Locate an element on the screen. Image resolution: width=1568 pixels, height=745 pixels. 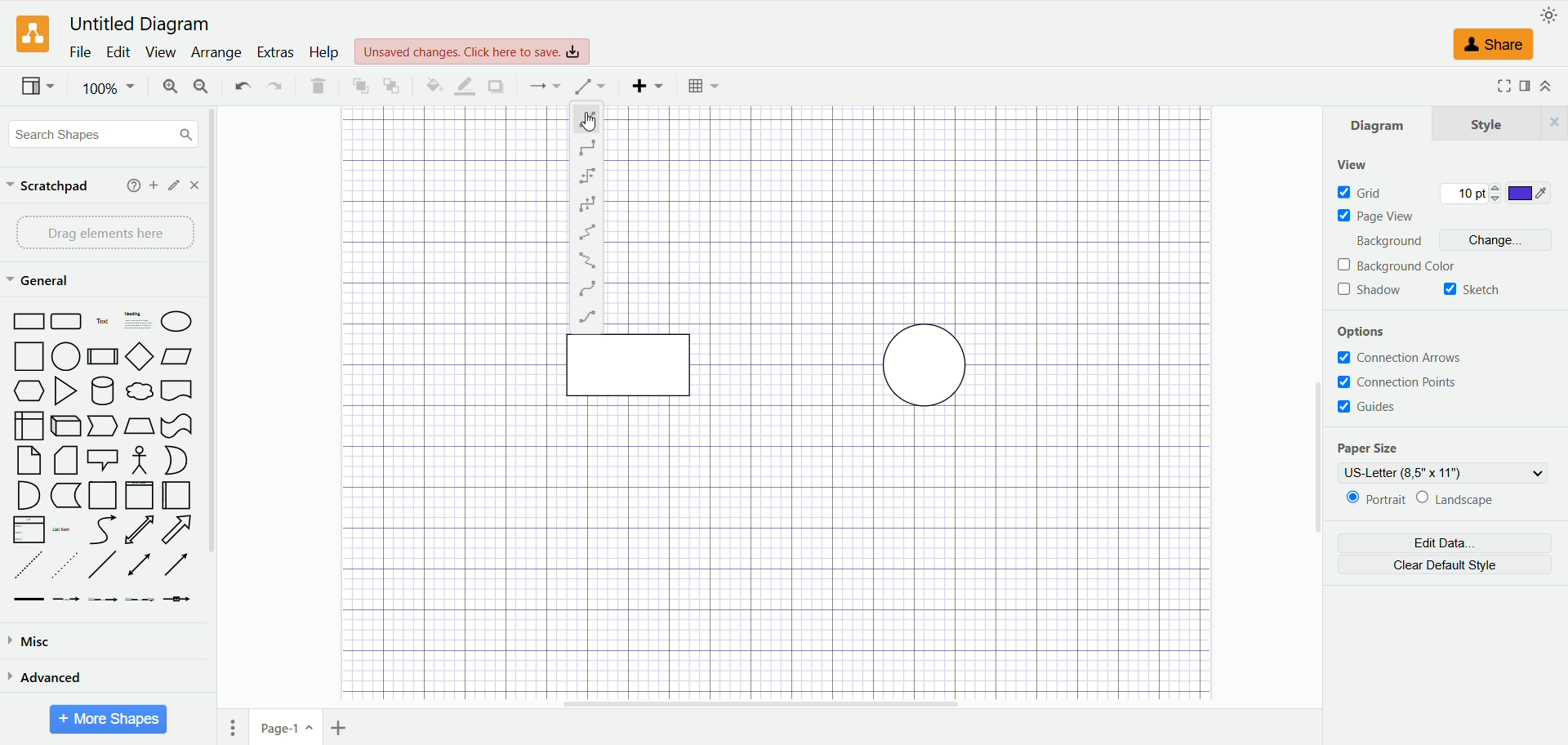
Horizontal Page is located at coordinates (177, 497).